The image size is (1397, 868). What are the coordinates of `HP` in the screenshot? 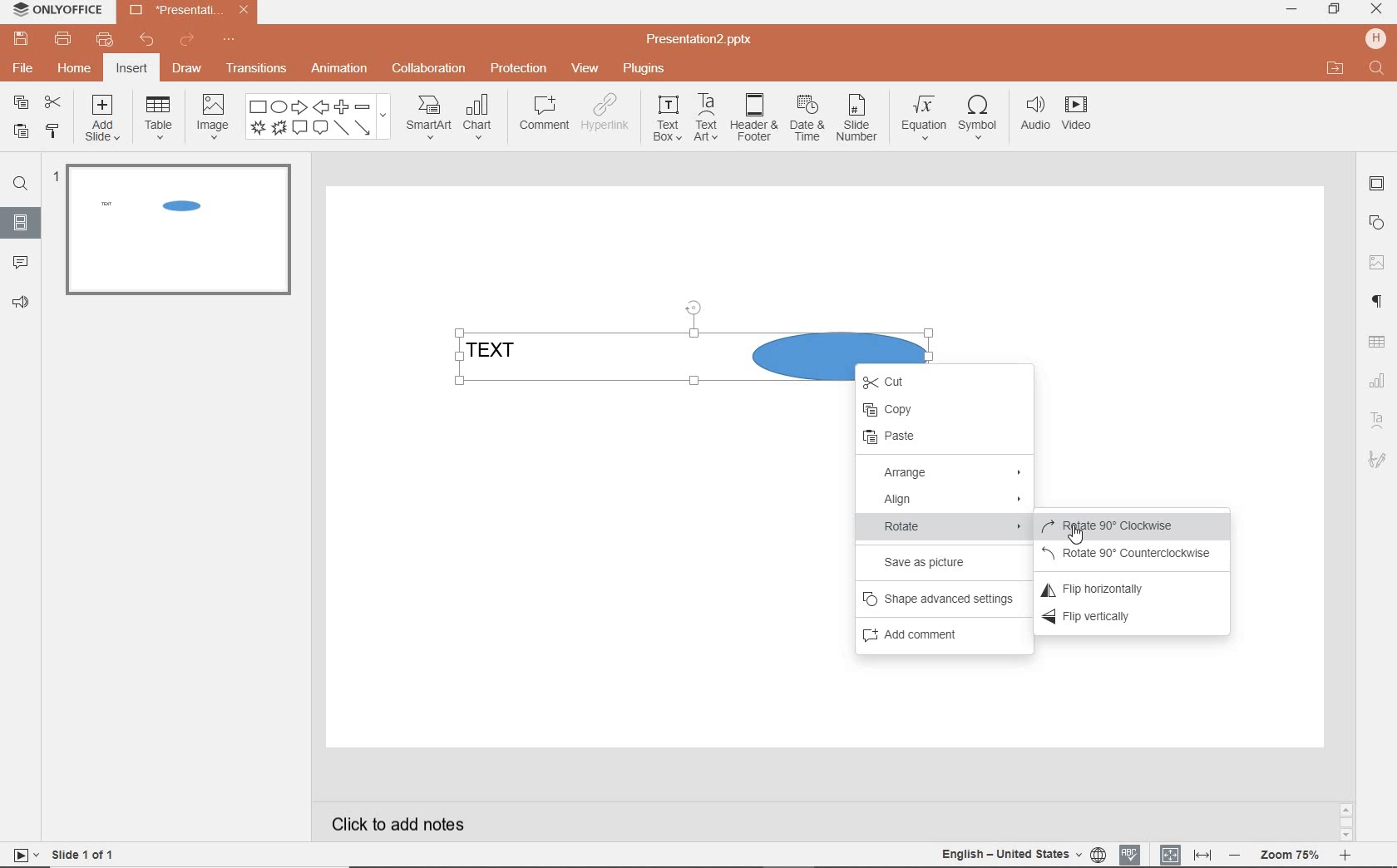 It's located at (1377, 38).